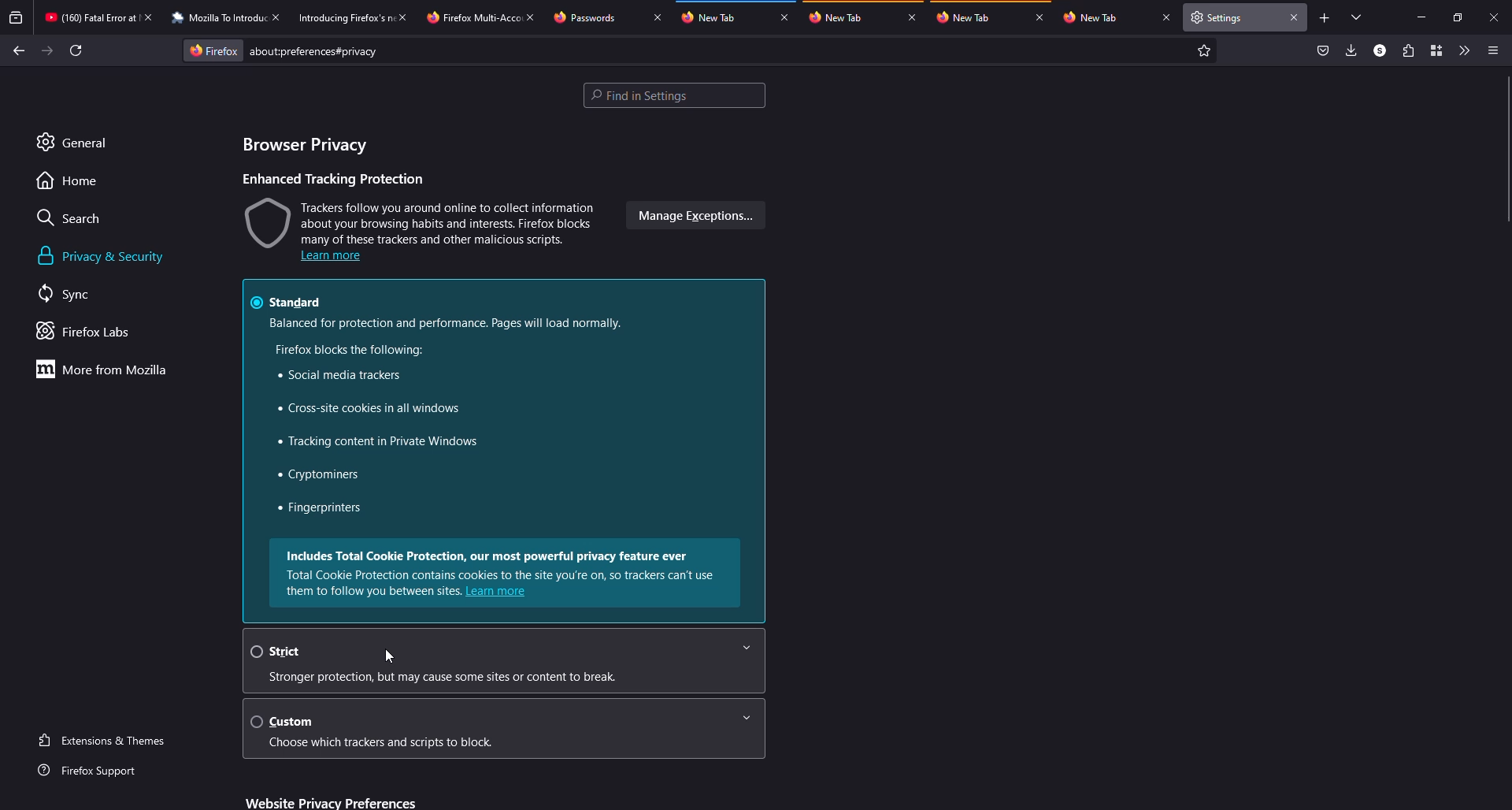 The width and height of the screenshot is (1512, 810). I want to click on standard selected, so click(289, 301).